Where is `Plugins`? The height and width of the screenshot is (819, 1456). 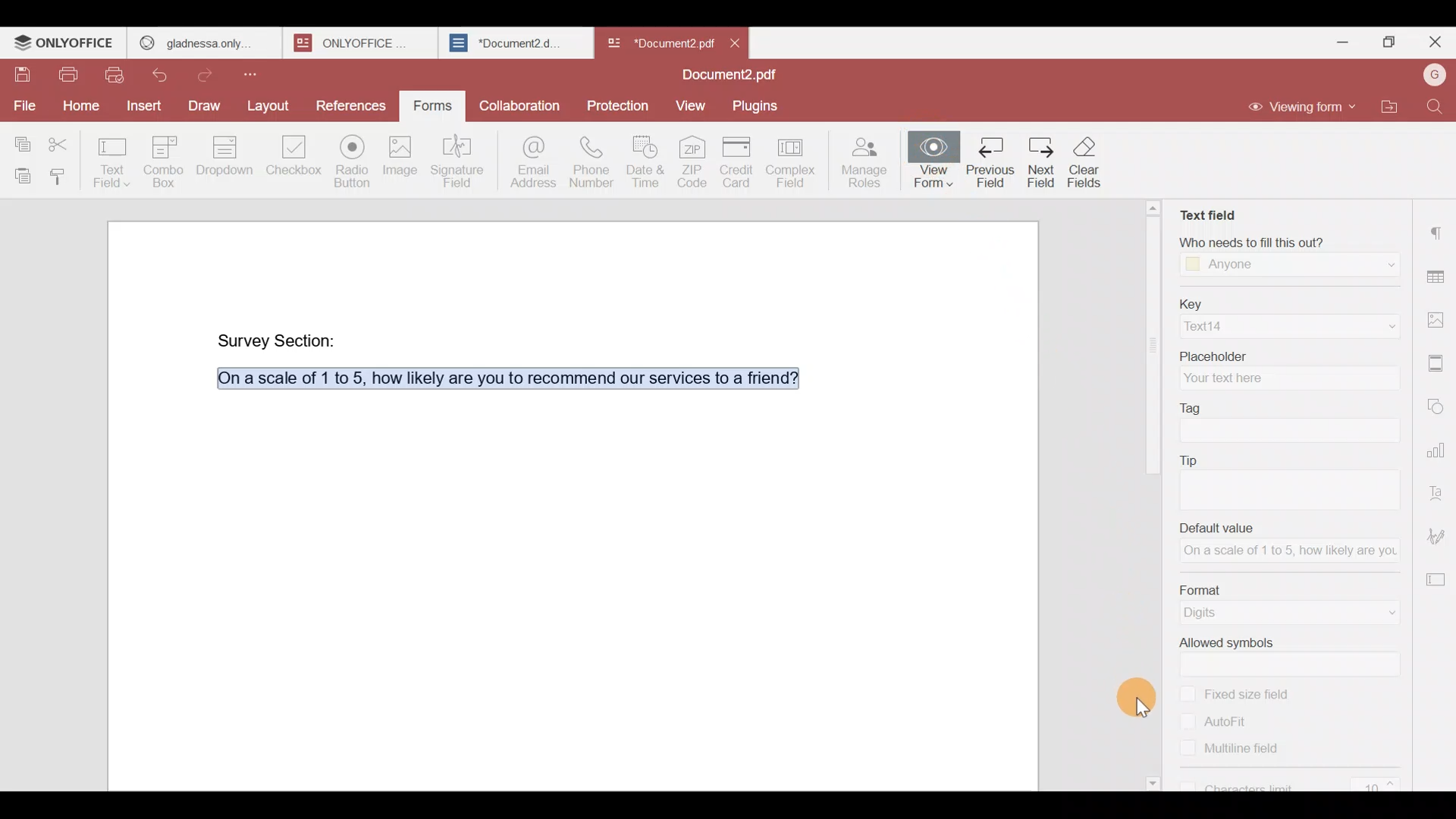
Plugins is located at coordinates (756, 105).